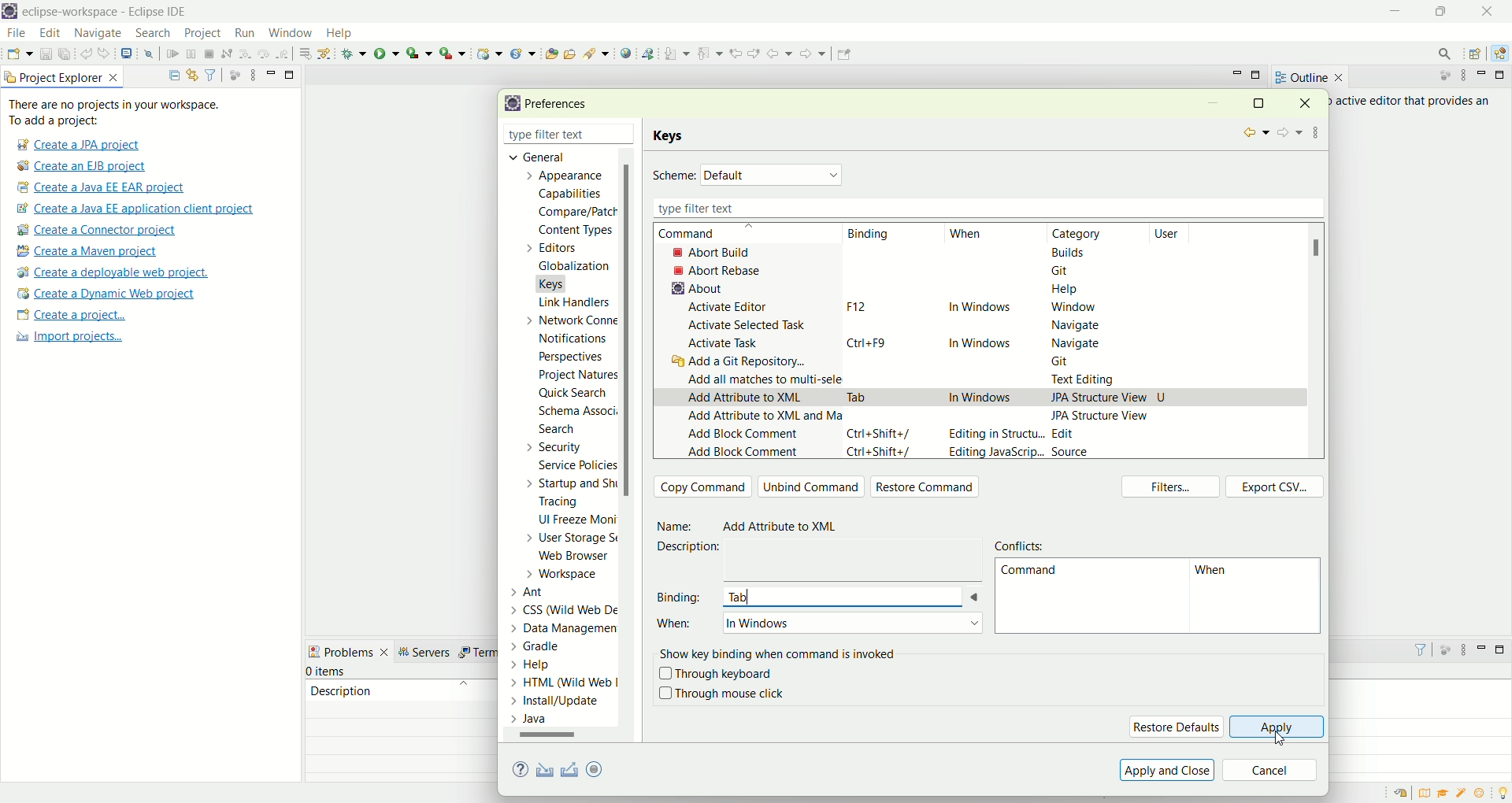 The width and height of the screenshot is (1512, 803). I want to click on create a dynamic web project, so click(487, 52).